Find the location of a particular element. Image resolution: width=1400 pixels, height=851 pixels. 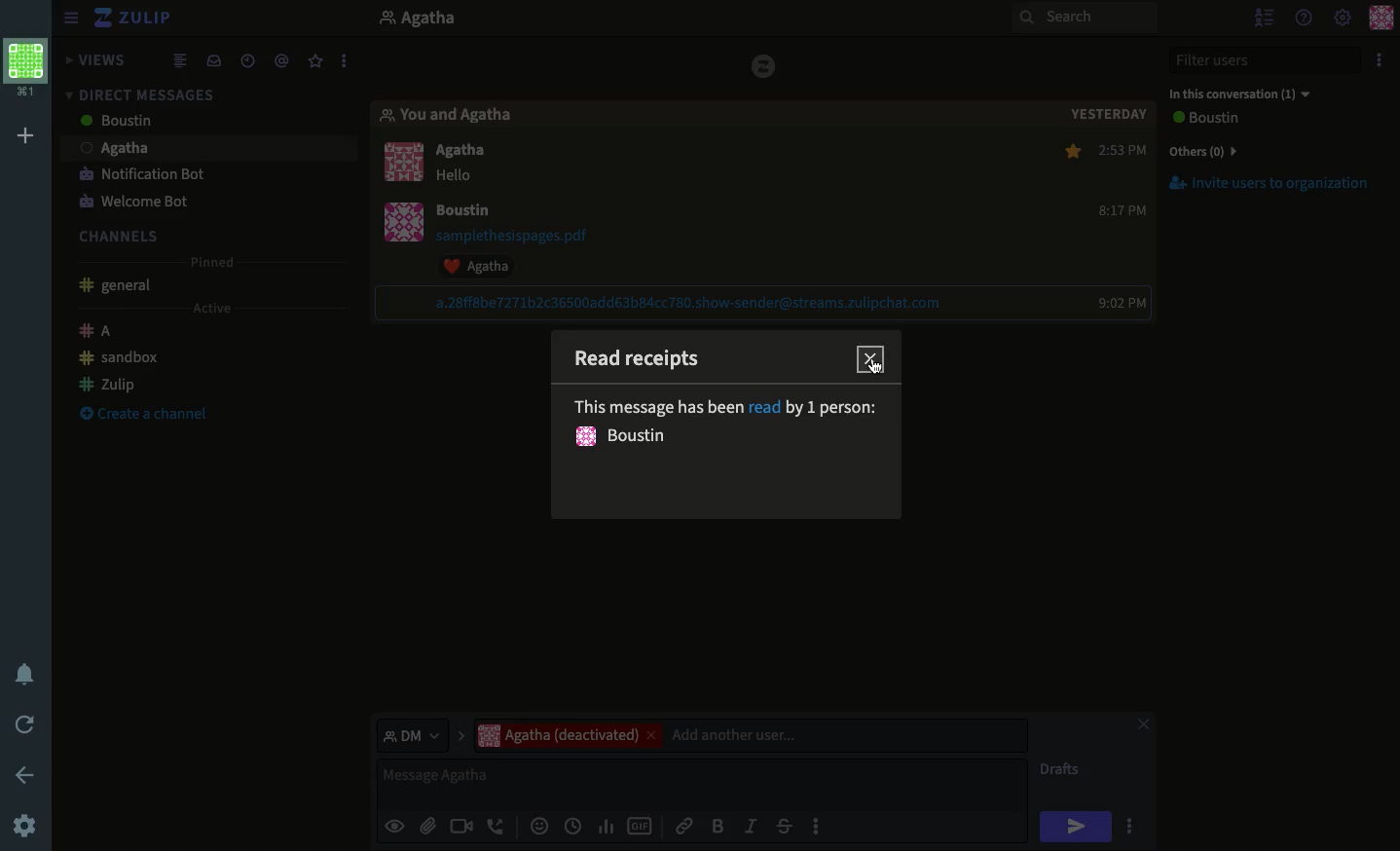

Notification is located at coordinates (28, 674).